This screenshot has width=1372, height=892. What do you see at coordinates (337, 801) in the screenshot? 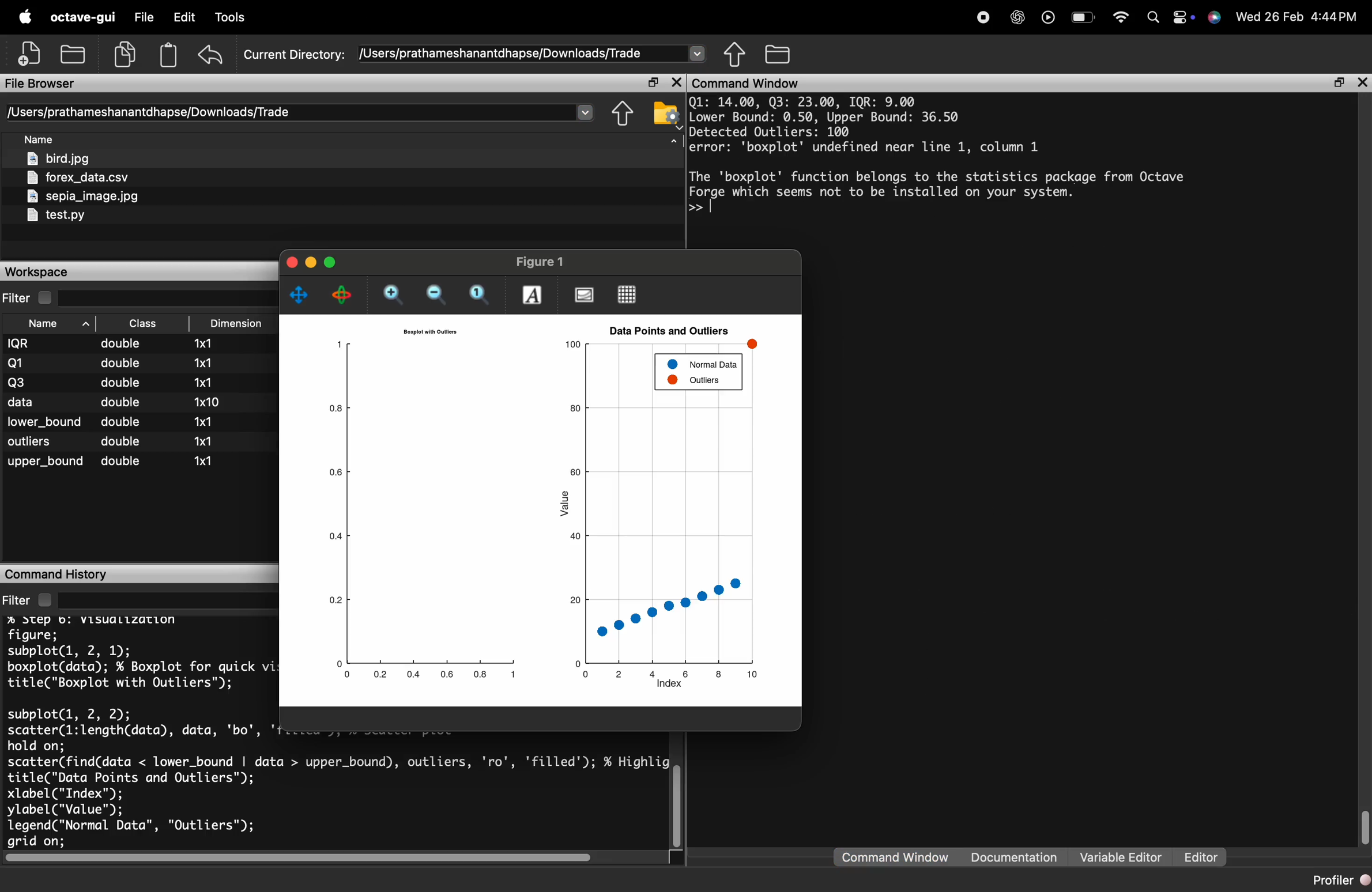
I see `scatter(find(data < lower_bound | data > upper_bound), outliers, 'ro', 'filled'); % Highlight title("Data Points and Outliers");xlabel("Index");ylabel("Value");legend("Normal Data", "Outliers");grid on;` at bounding box center [337, 801].